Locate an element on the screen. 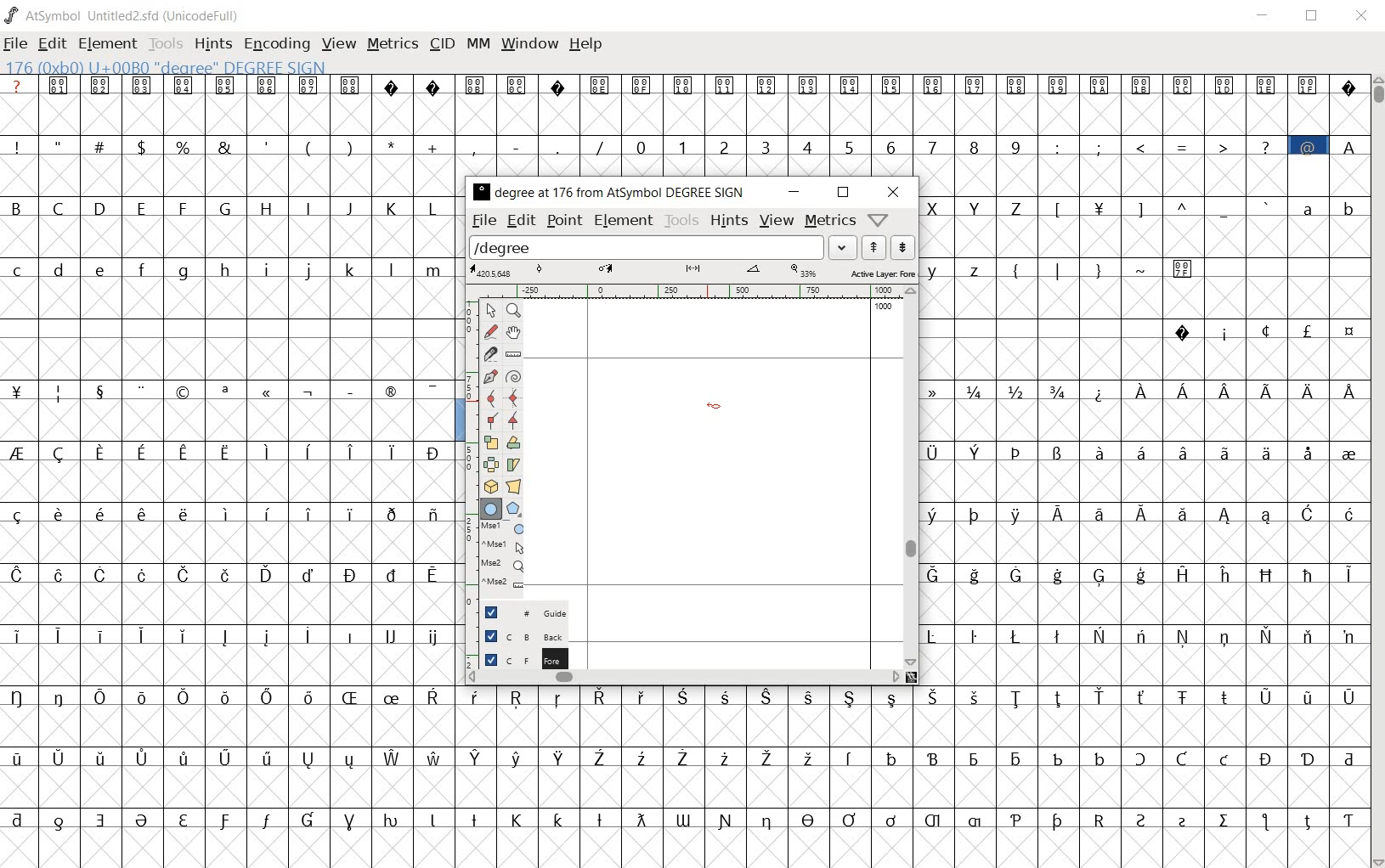 The width and height of the screenshot is (1385, 868). restore down is located at coordinates (843, 194).